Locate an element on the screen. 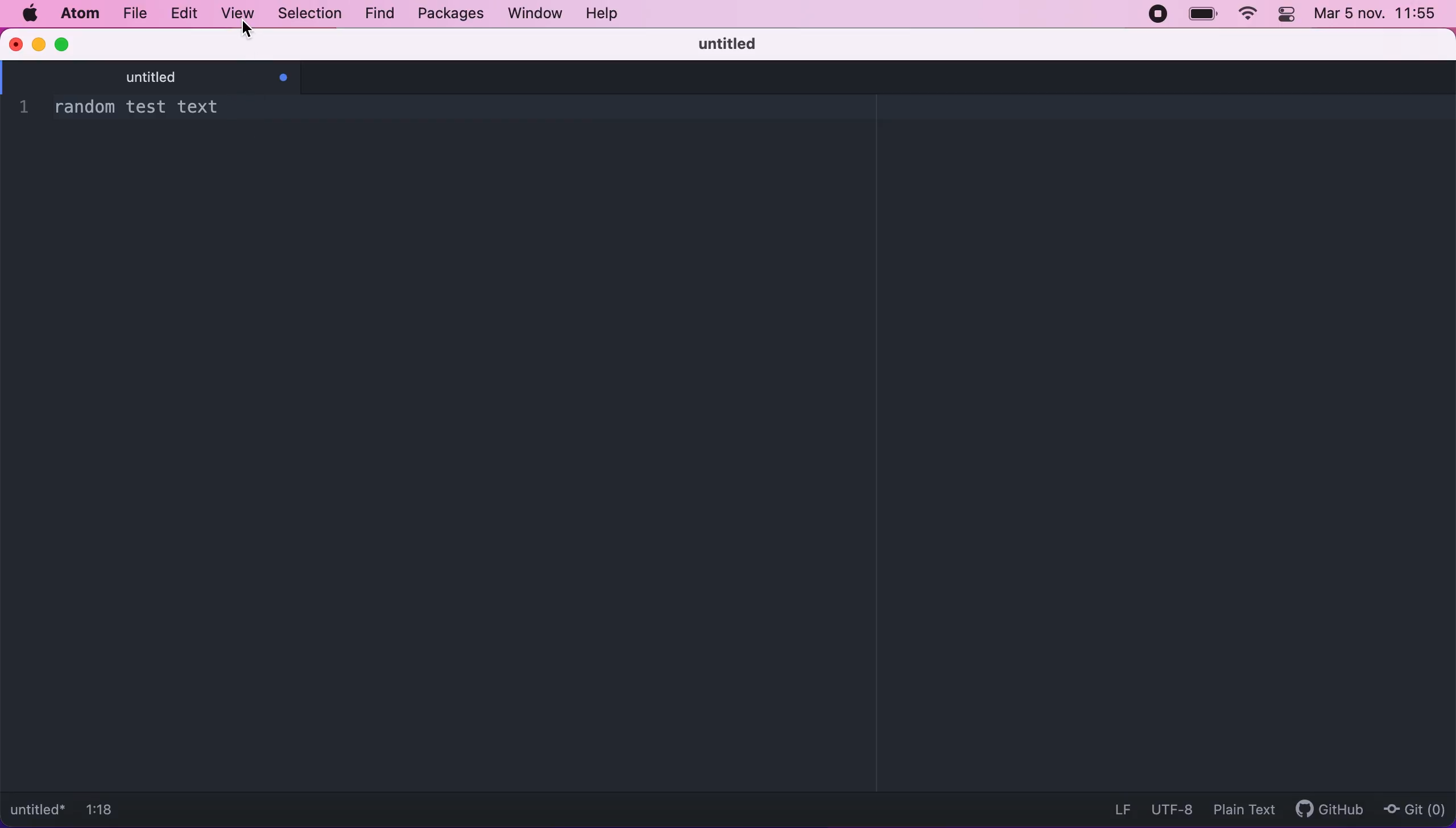 The width and height of the screenshot is (1456, 828). 1:18 is located at coordinates (107, 808).